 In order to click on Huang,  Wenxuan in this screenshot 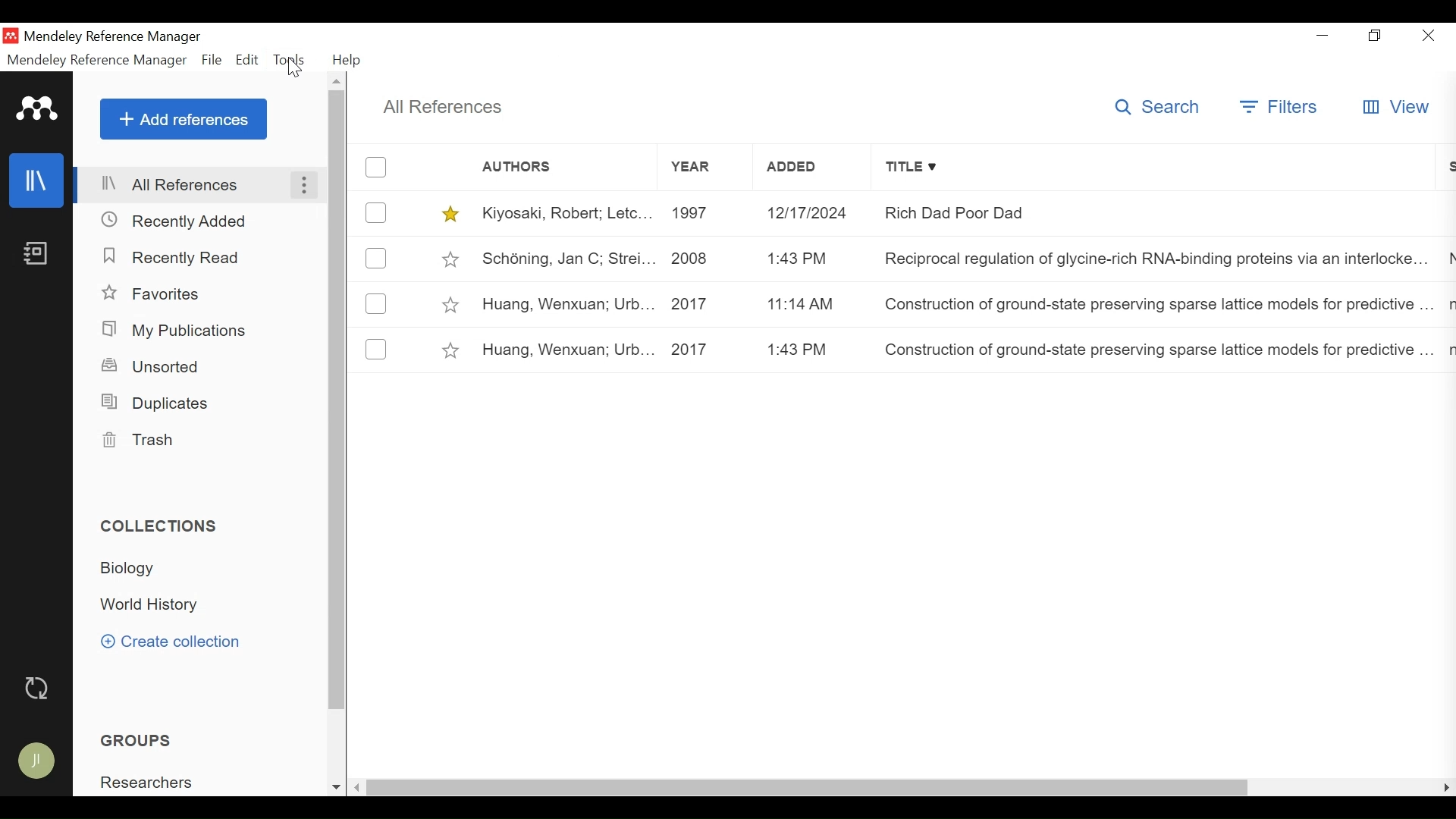, I will do `click(568, 350)`.